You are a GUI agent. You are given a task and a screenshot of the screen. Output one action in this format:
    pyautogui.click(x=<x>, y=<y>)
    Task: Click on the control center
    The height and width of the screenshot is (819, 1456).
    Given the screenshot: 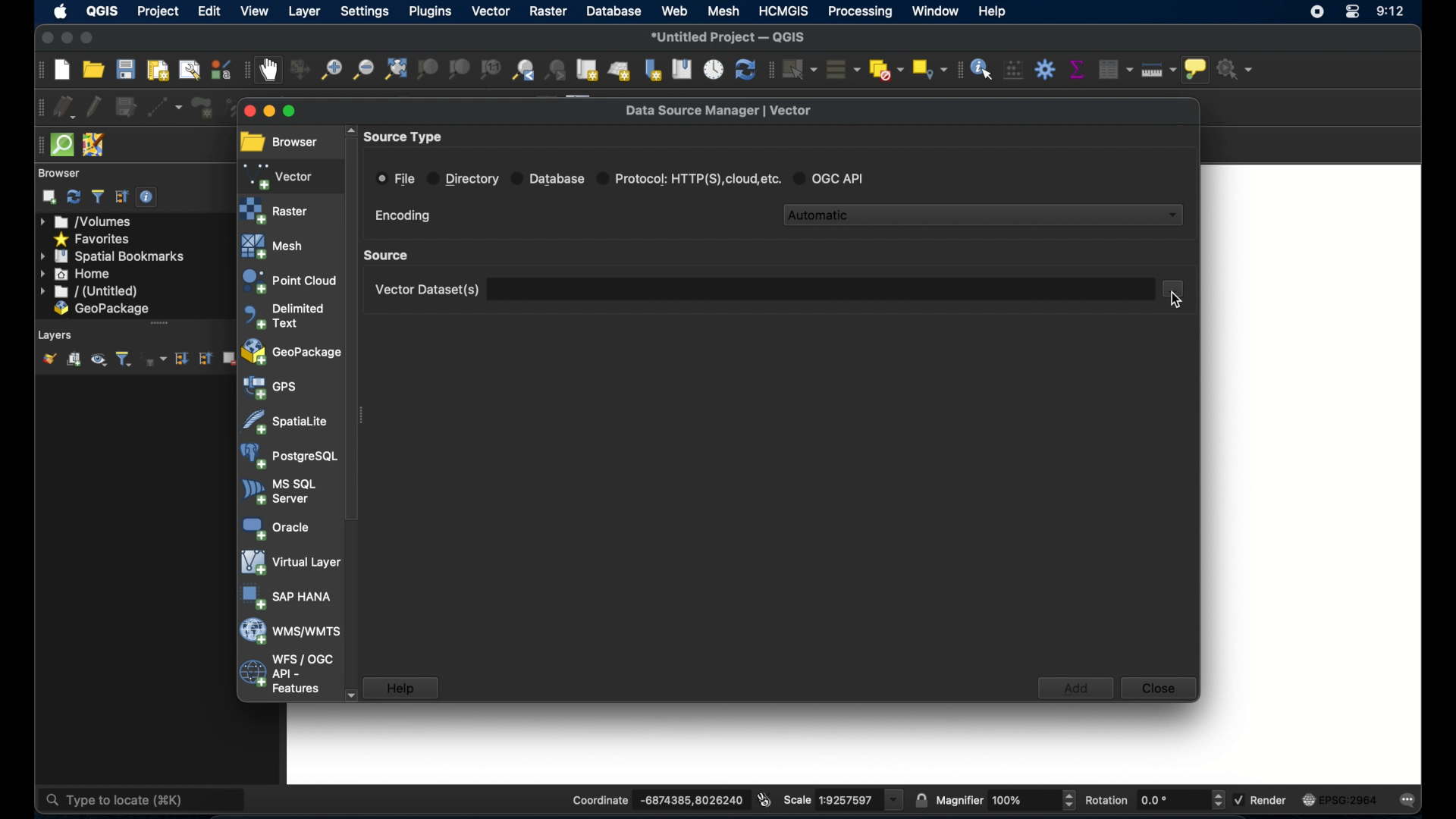 What is the action you would take?
    pyautogui.click(x=1352, y=14)
    